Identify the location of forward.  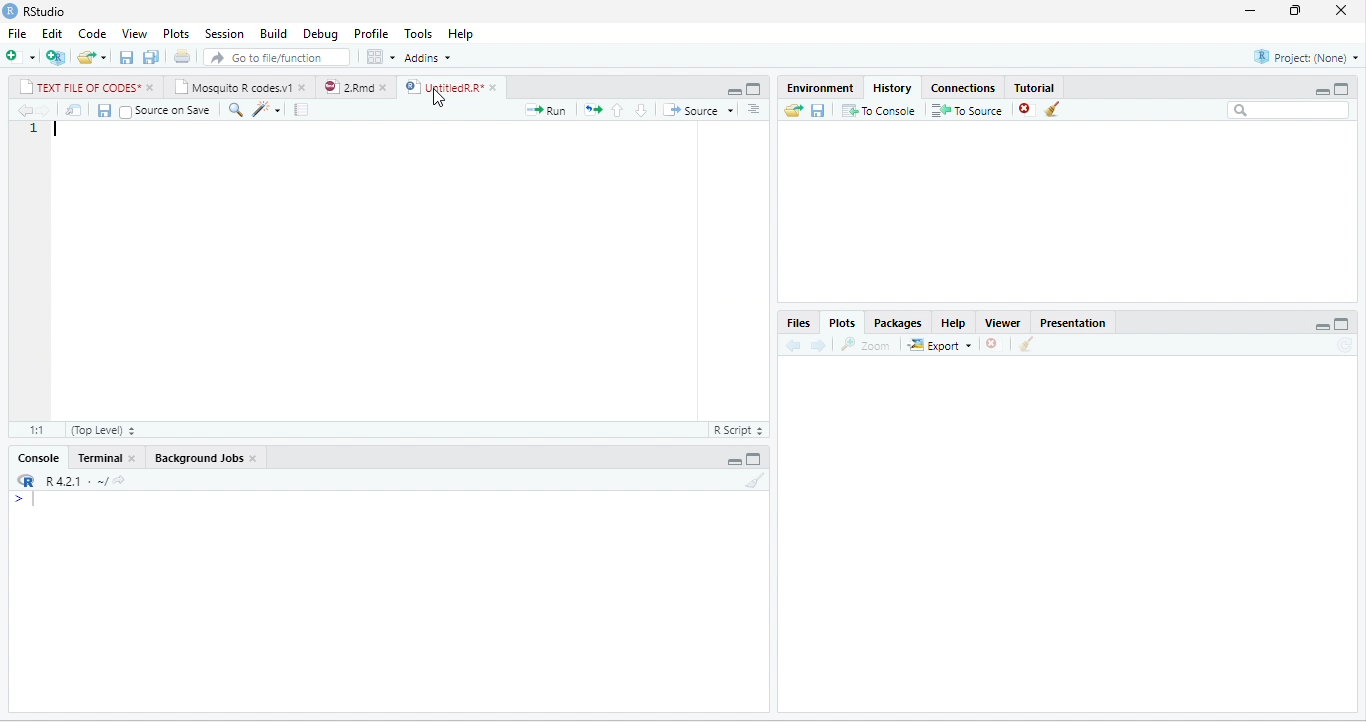
(819, 345).